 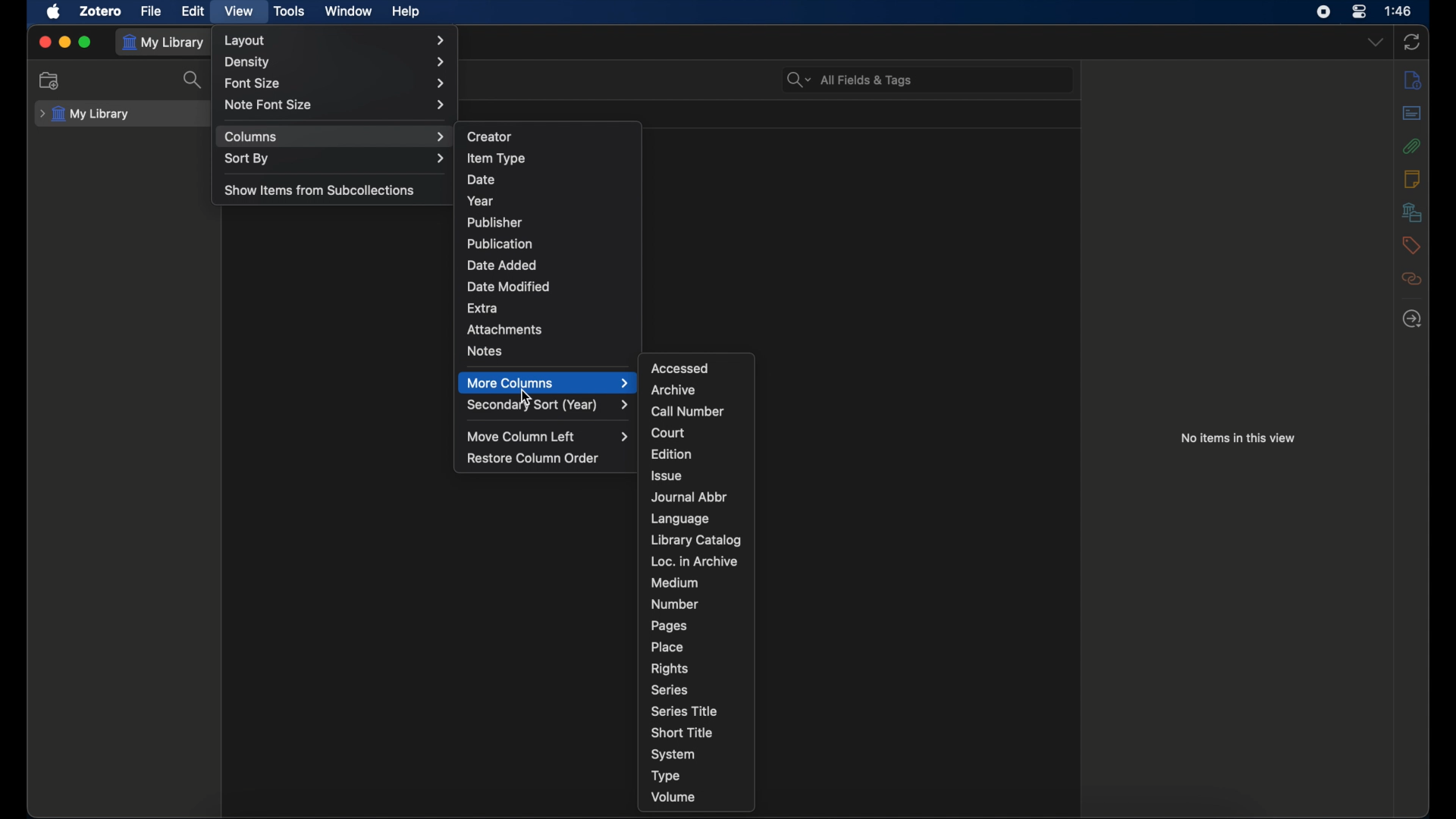 What do you see at coordinates (337, 82) in the screenshot?
I see `font size` at bounding box center [337, 82].